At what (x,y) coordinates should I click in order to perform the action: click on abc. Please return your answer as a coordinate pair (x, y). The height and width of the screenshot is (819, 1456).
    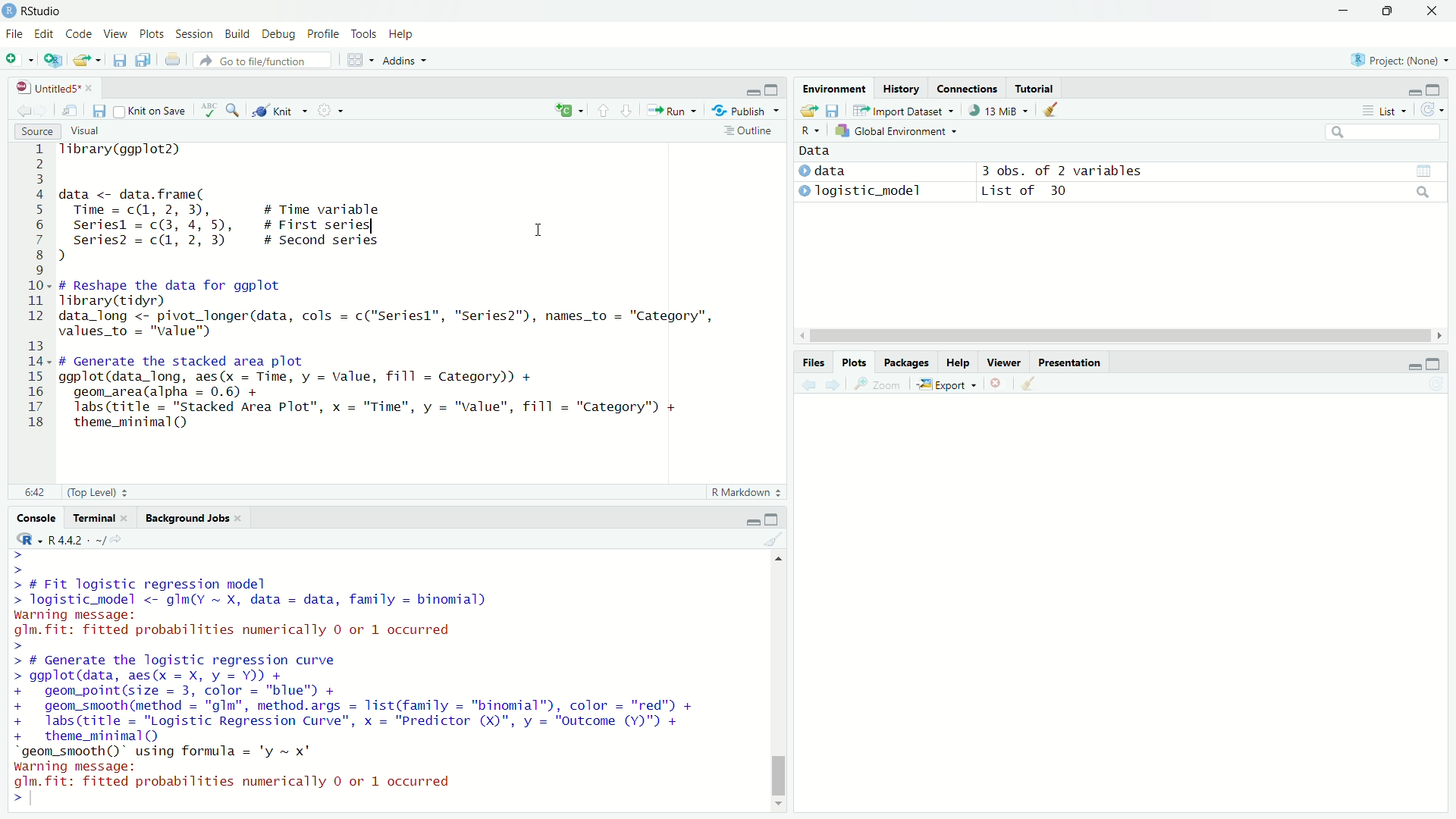
    Looking at the image, I should click on (209, 111).